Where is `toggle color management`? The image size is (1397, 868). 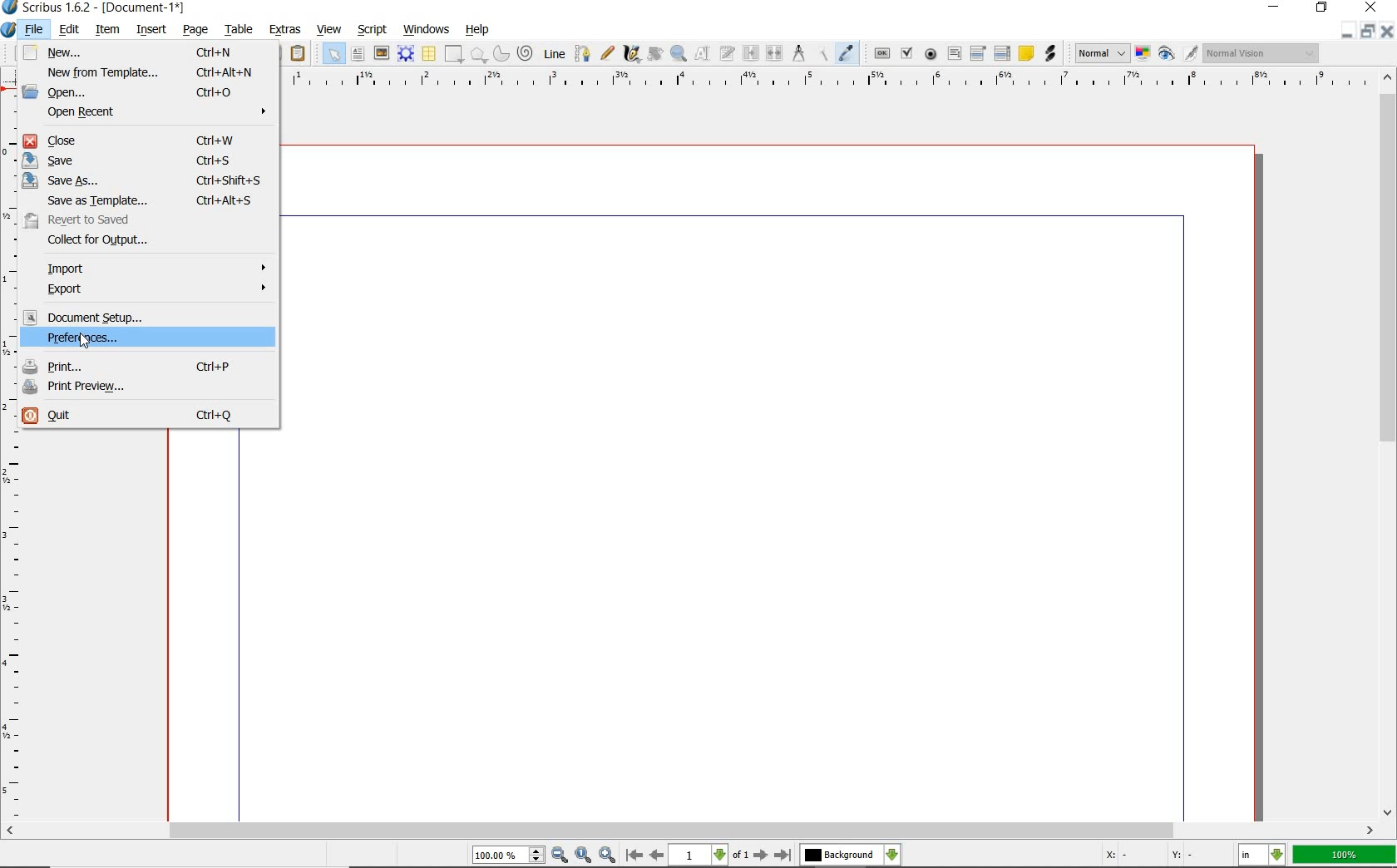 toggle color management is located at coordinates (1142, 55).